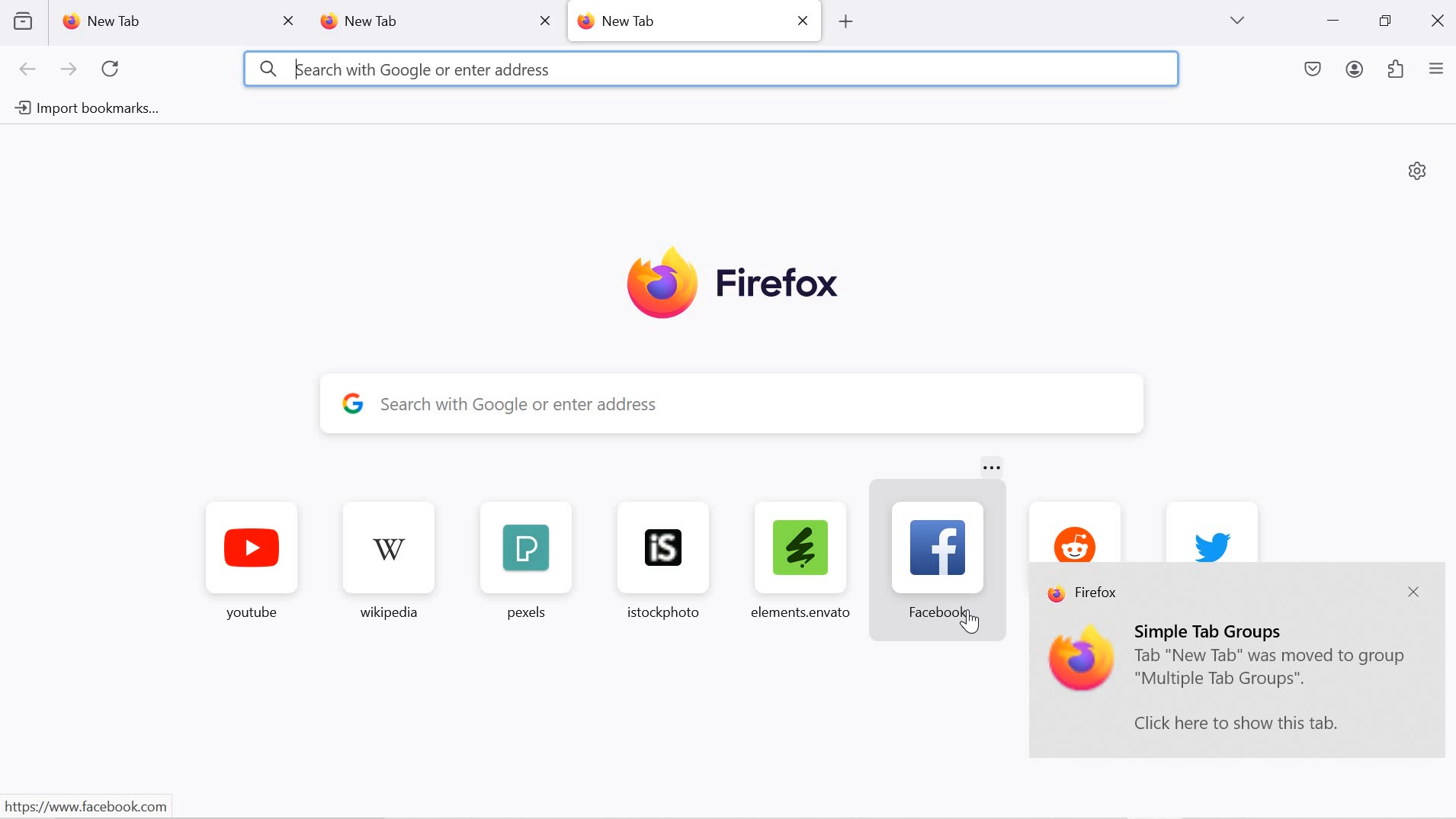 This screenshot has height=819, width=1456. What do you see at coordinates (159, 21) in the screenshot?
I see `new tab` at bounding box center [159, 21].